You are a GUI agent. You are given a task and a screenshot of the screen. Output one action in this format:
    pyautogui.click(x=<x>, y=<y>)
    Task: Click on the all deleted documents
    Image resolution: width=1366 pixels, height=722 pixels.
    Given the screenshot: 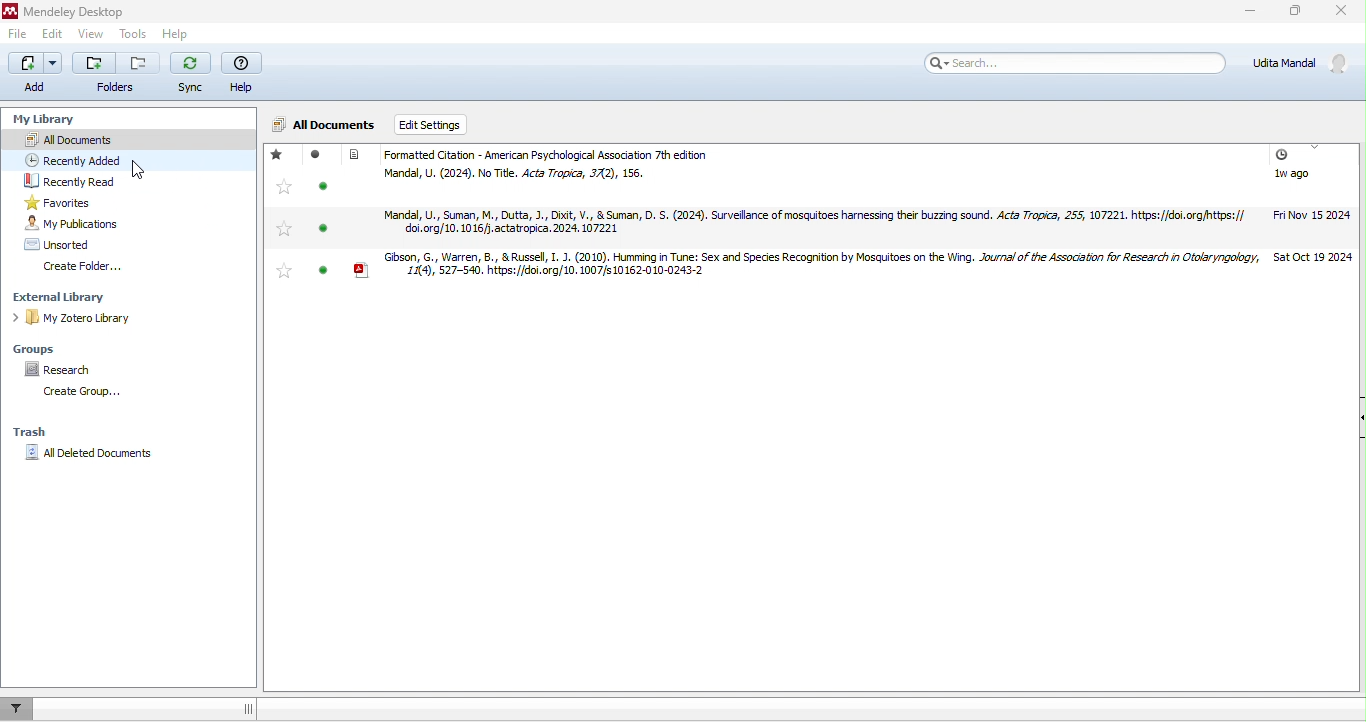 What is the action you would take?
    pyautogui.click(x=88, y=454)
    